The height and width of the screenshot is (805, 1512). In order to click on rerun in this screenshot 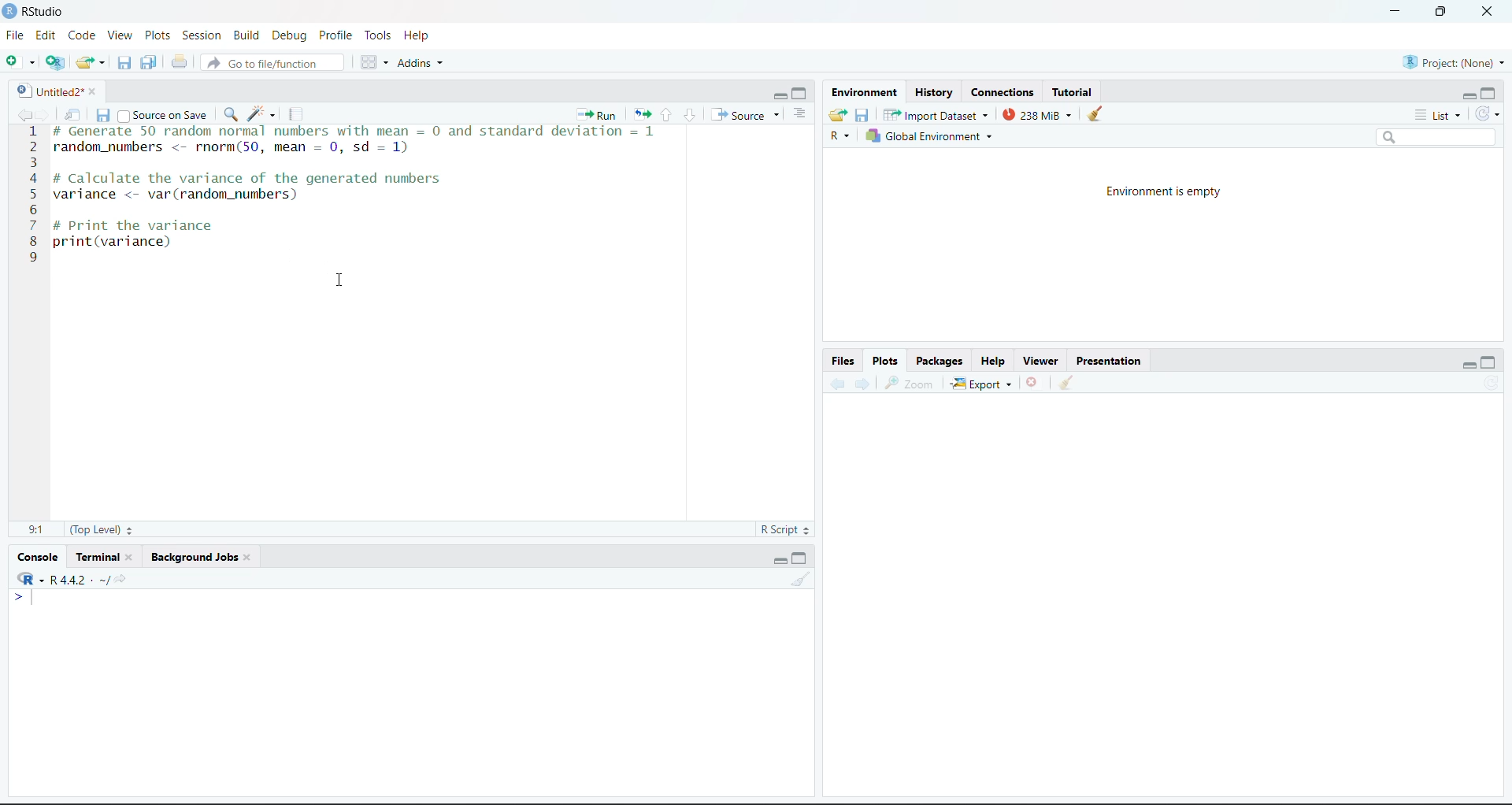, I will do `click(642, 116)`.